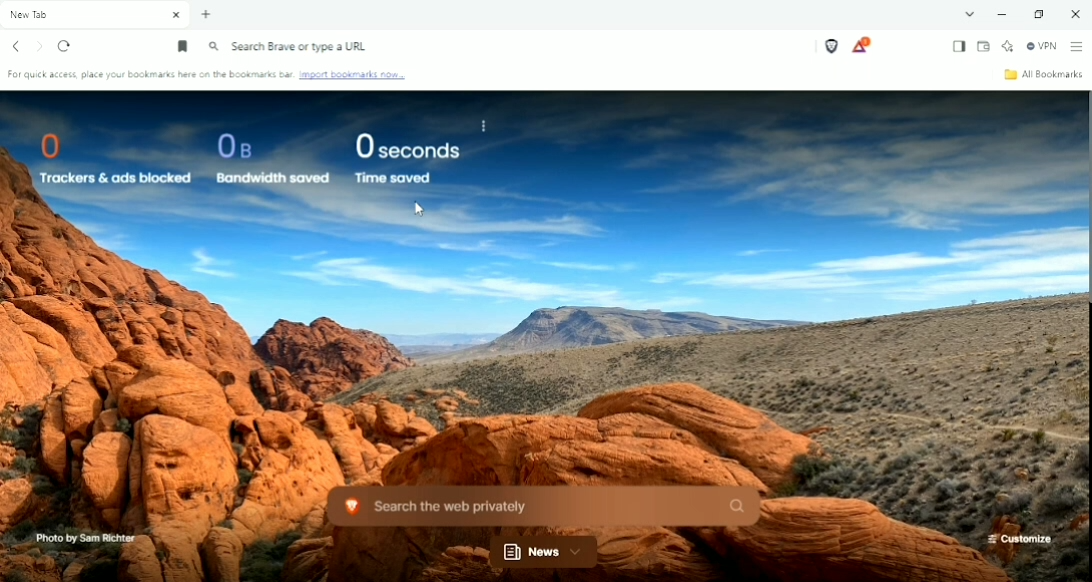  I want to click on Search tabs, so click(970, 14).